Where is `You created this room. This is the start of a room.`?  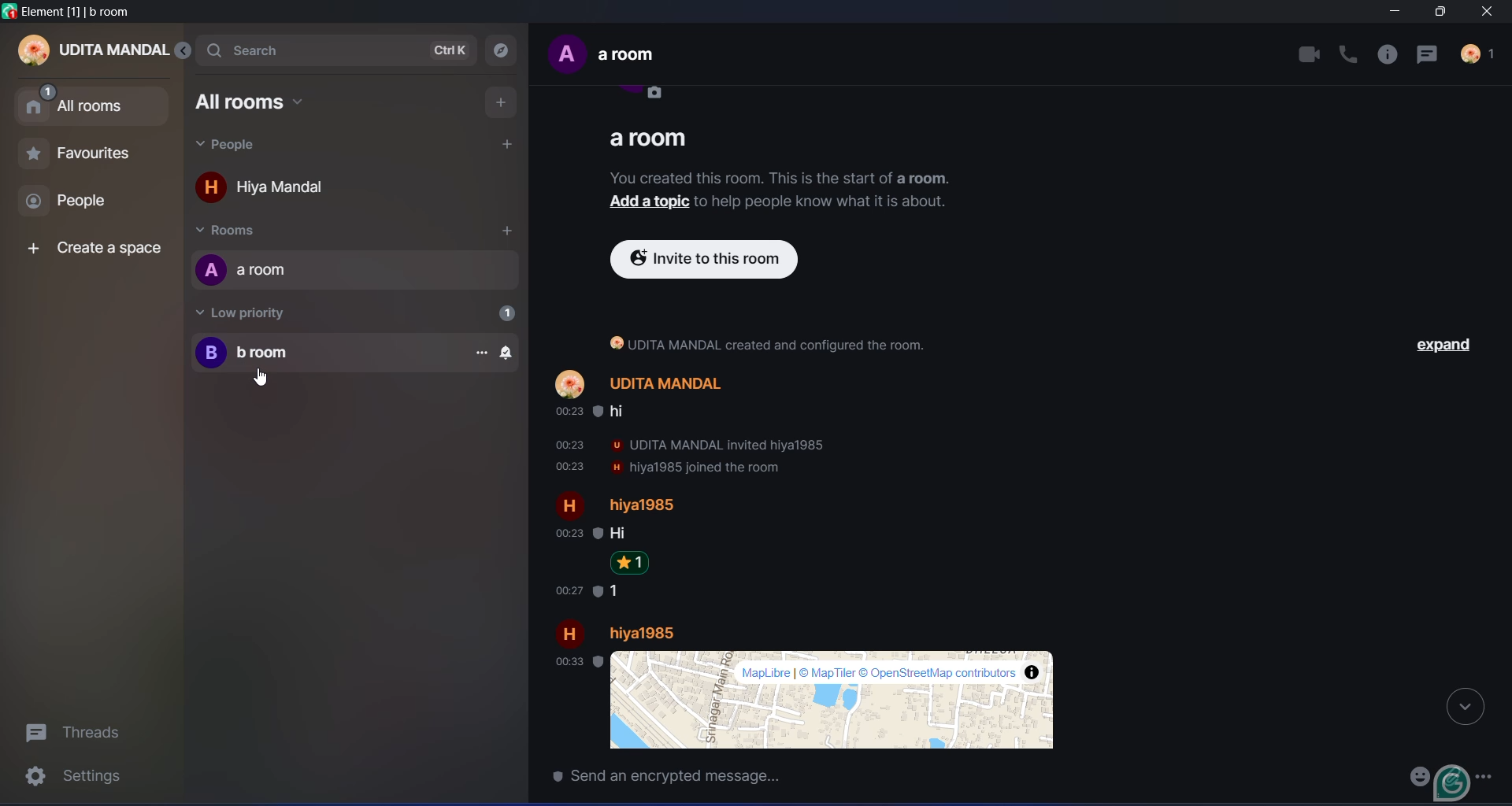 You created this room. This is the start of a room. is located at coordinates (784, 175).